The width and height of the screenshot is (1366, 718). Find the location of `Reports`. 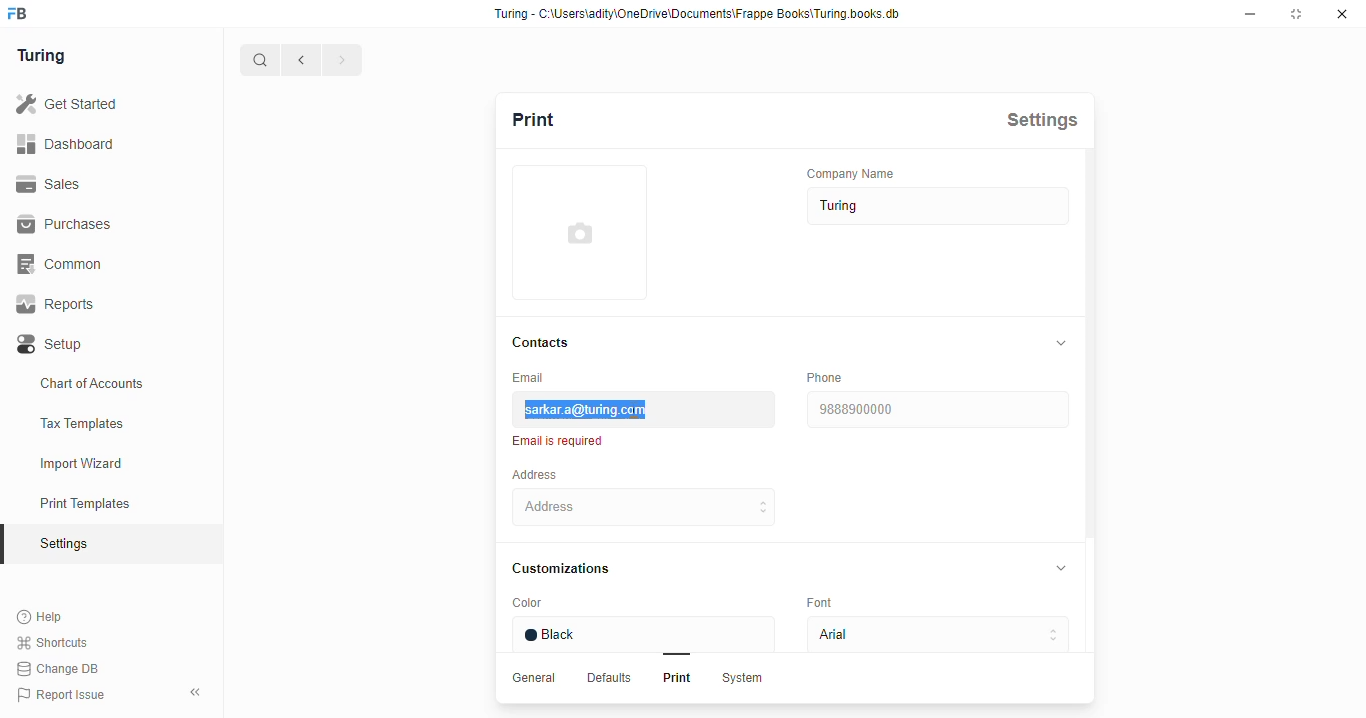

Reports is located at coordinates (63, 305).